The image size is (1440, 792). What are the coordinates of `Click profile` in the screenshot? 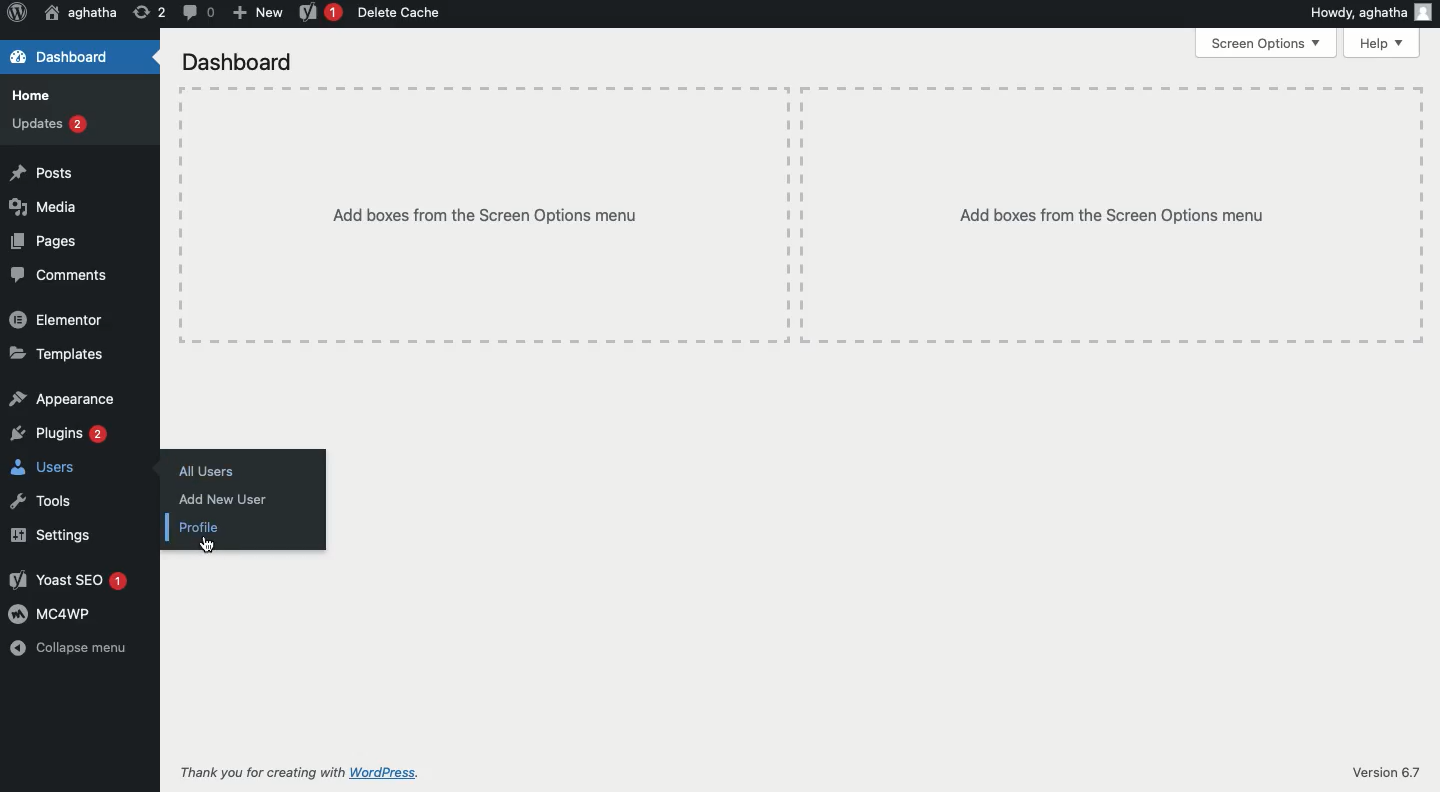 It's located at (206, 524).